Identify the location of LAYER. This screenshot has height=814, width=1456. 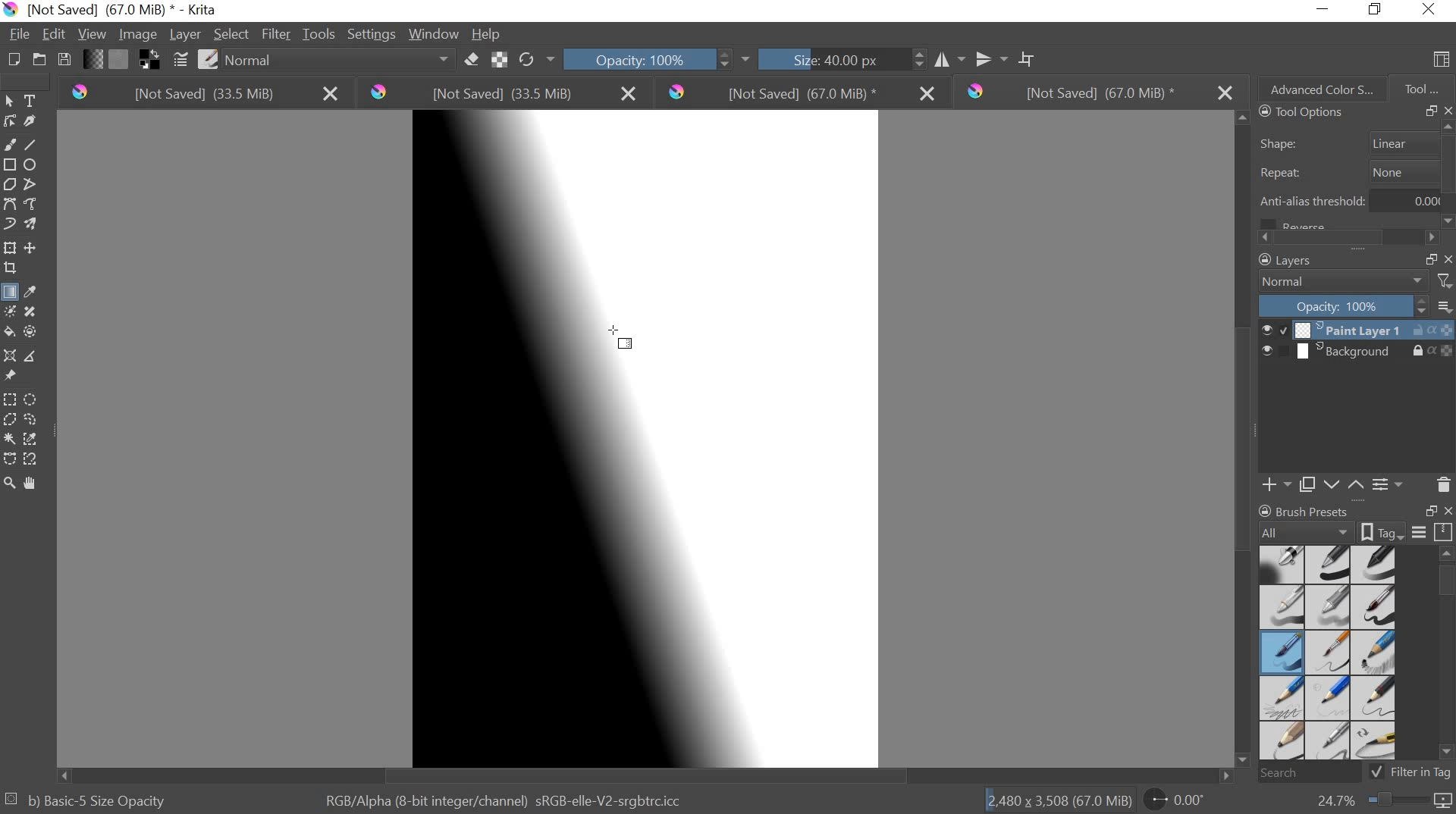
(184, 35).